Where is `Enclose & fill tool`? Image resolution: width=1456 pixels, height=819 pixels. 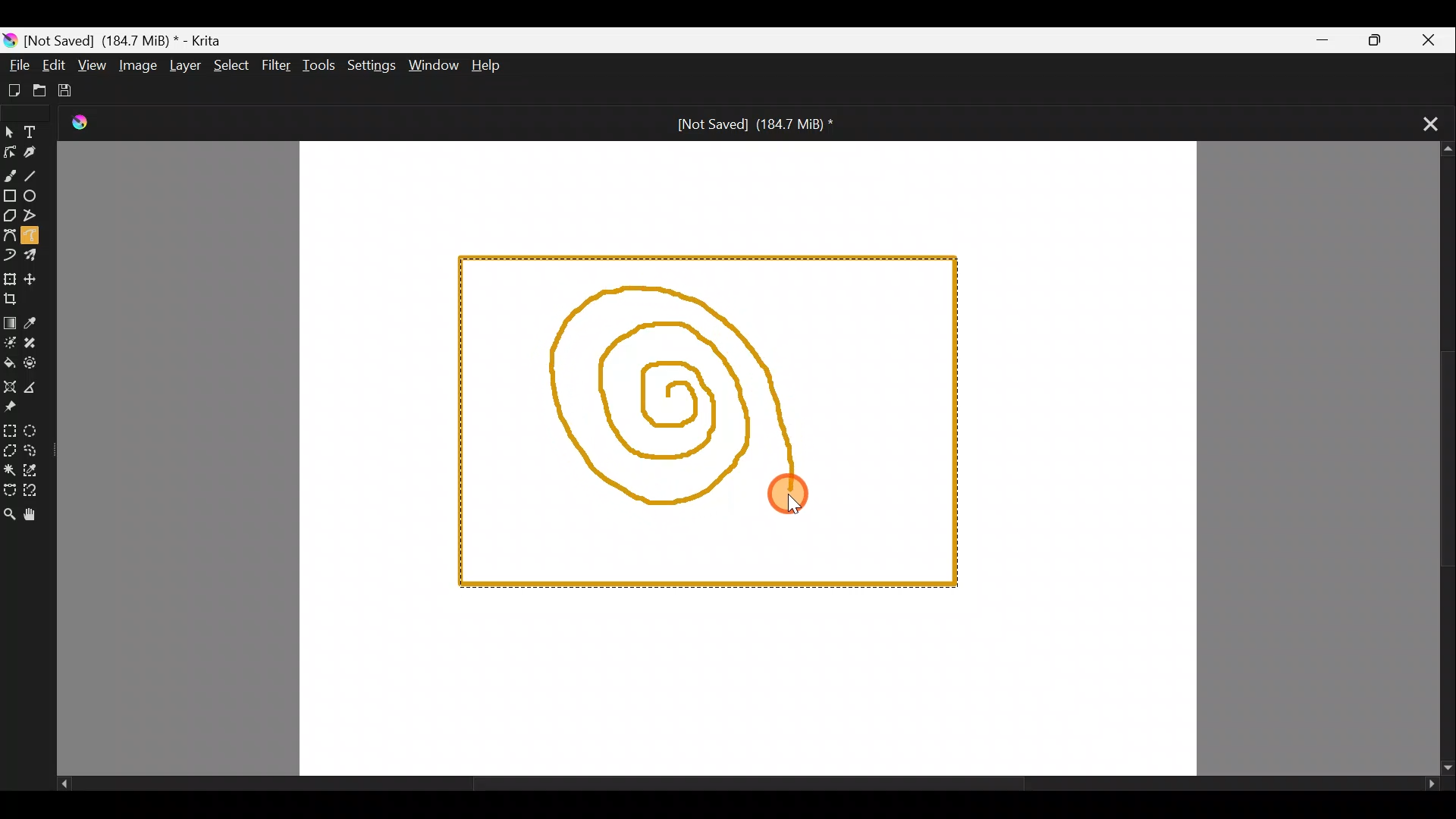 Enclose & fill tool is located at coordinates (33, 366).